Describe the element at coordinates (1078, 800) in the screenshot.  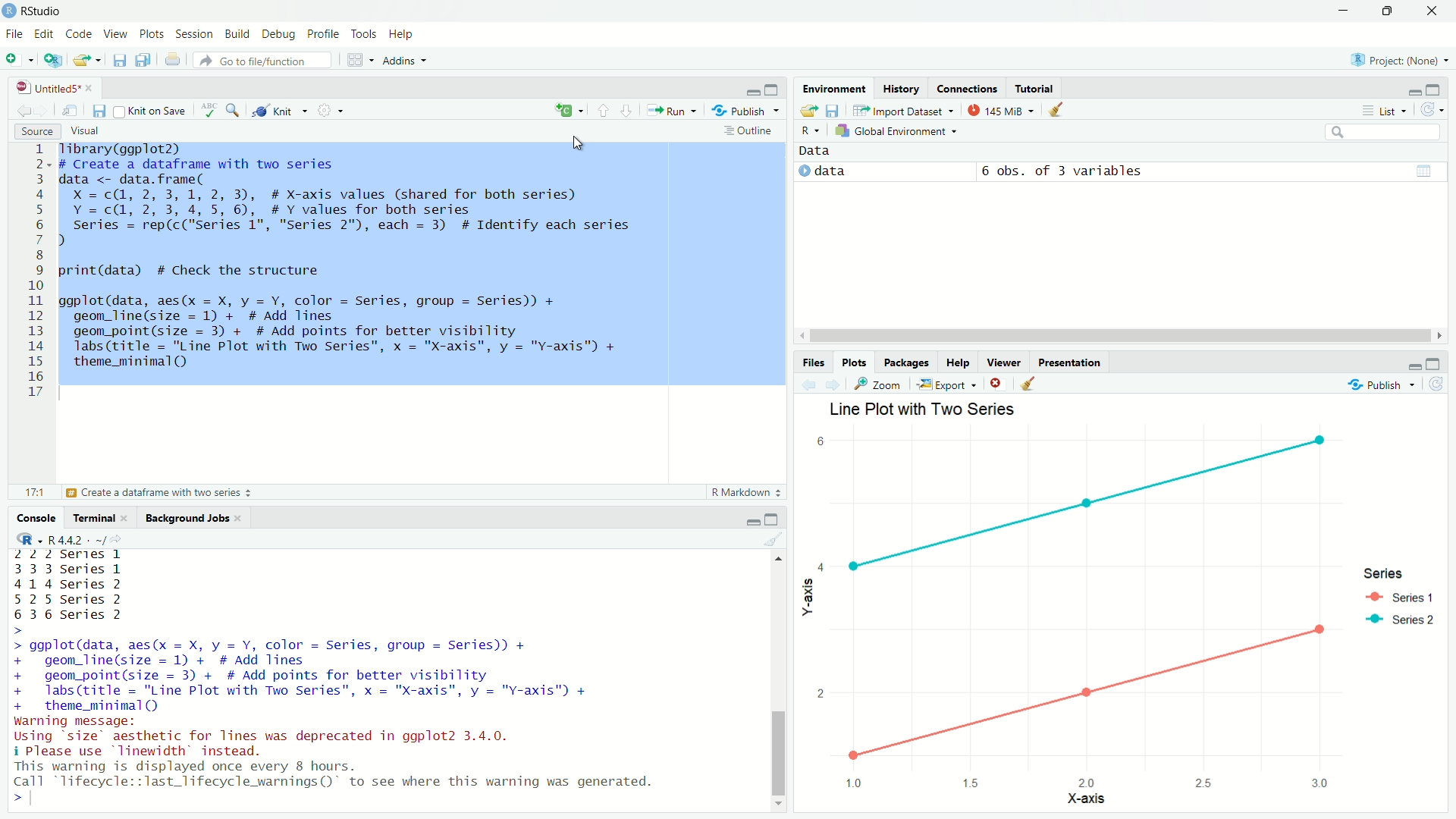
I see `X axis` at that location.